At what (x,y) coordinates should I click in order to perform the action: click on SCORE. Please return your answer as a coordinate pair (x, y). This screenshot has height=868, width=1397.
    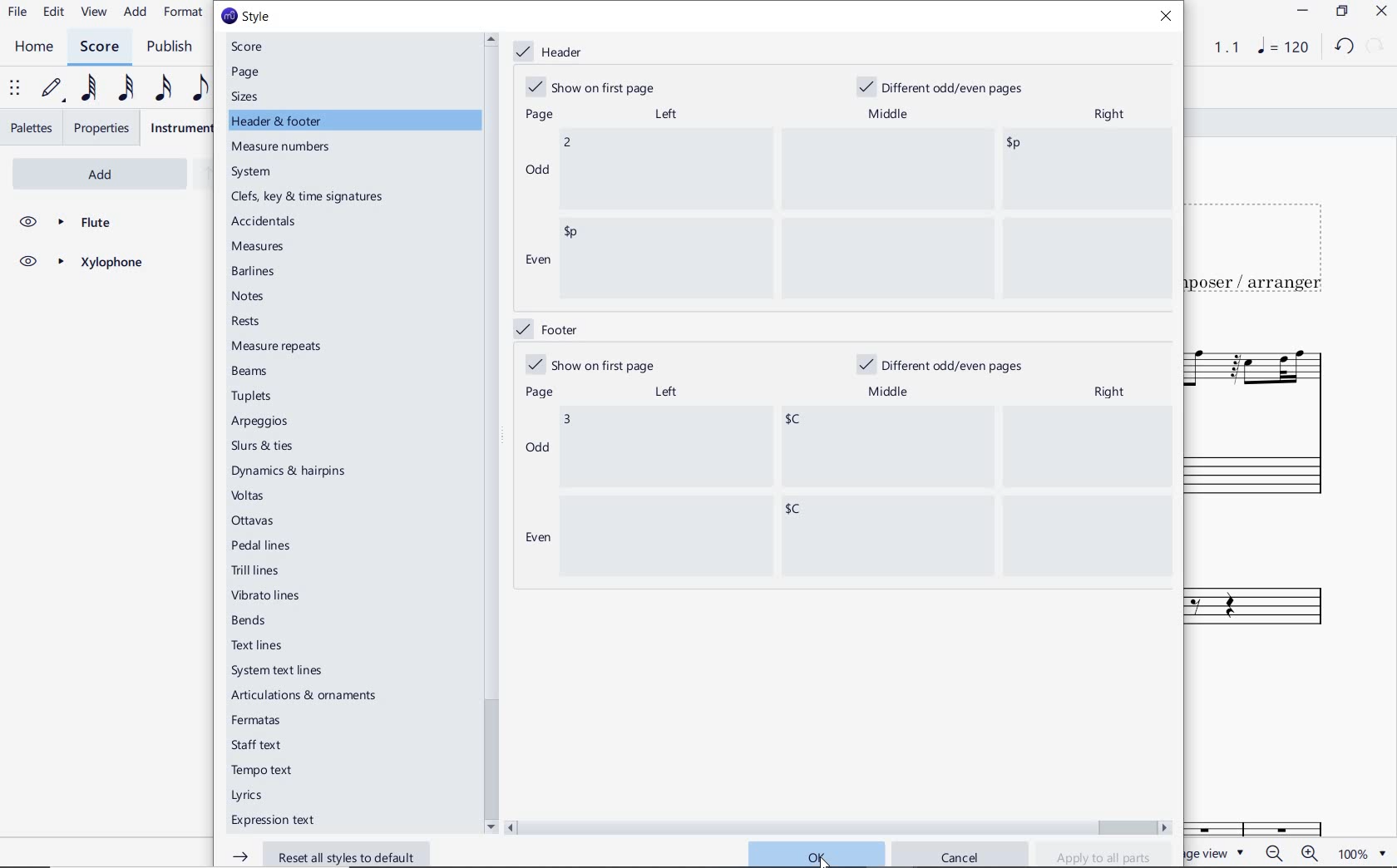
    Looking at the image, I should click on (98, 46).